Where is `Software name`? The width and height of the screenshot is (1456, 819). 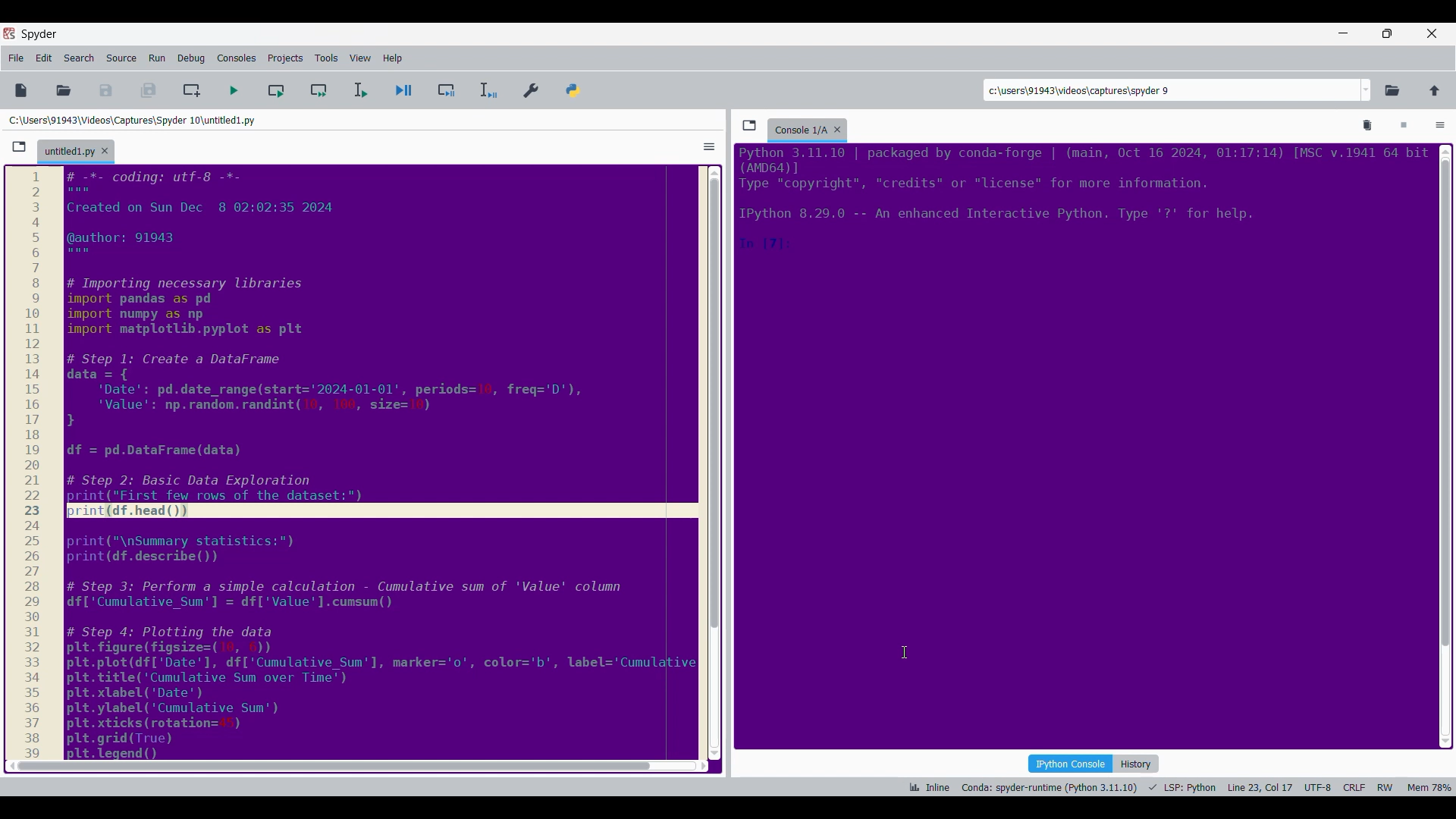
Software name is located at coordinates (39, 34).